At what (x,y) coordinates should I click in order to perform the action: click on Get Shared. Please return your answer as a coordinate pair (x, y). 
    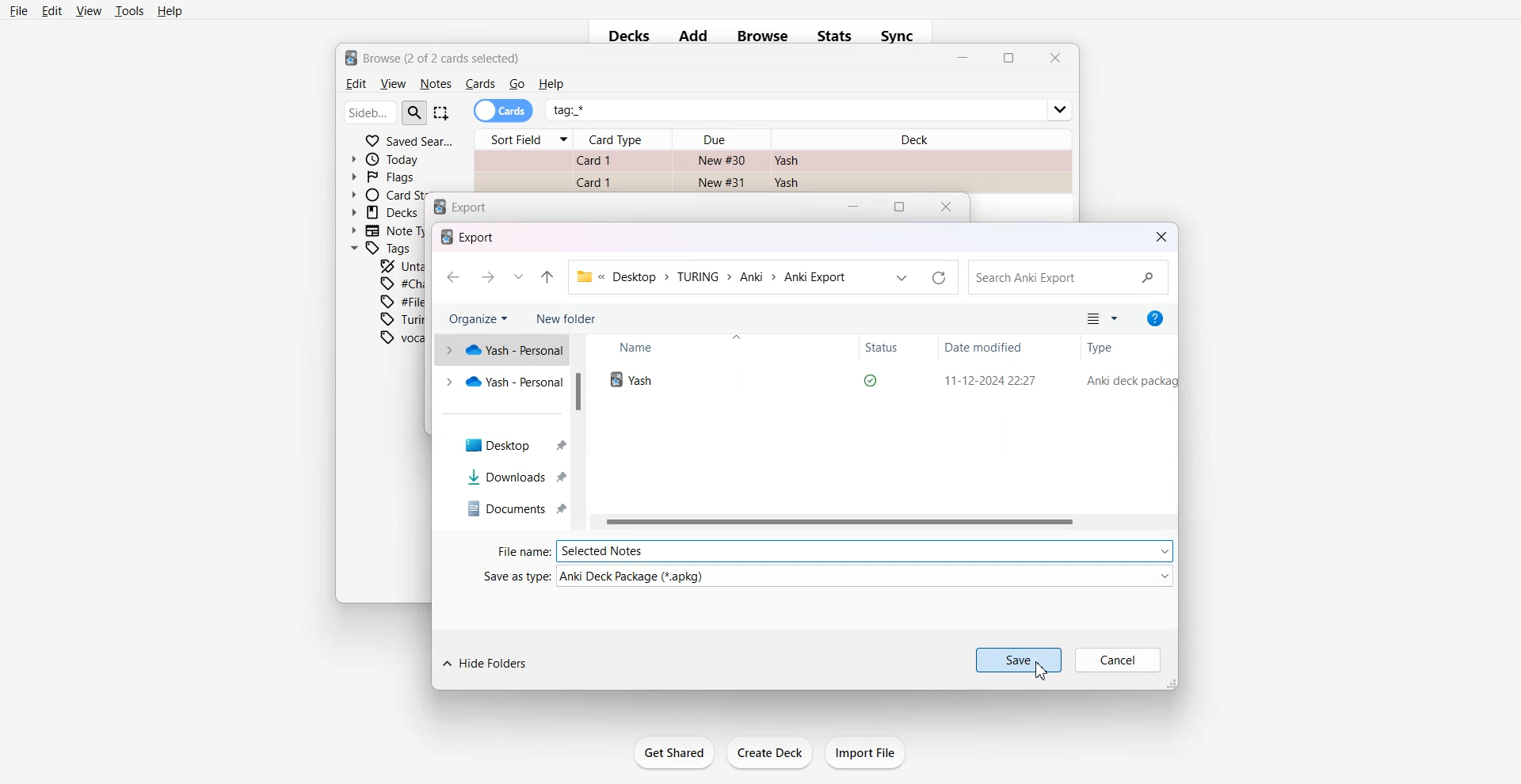
    Looking at the image, I should click on (673, 752).